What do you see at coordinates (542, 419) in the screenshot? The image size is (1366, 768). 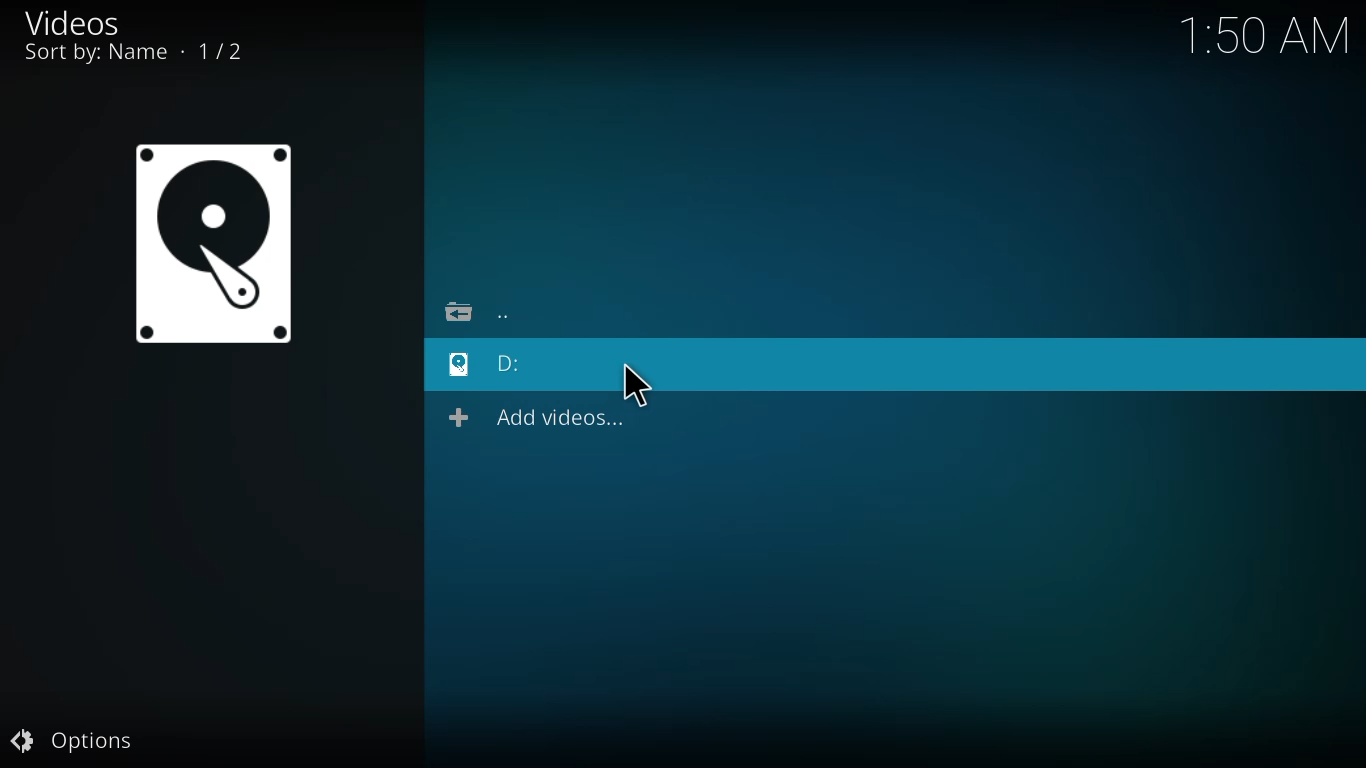 I see `add videos` at bounding box center [542, 419].